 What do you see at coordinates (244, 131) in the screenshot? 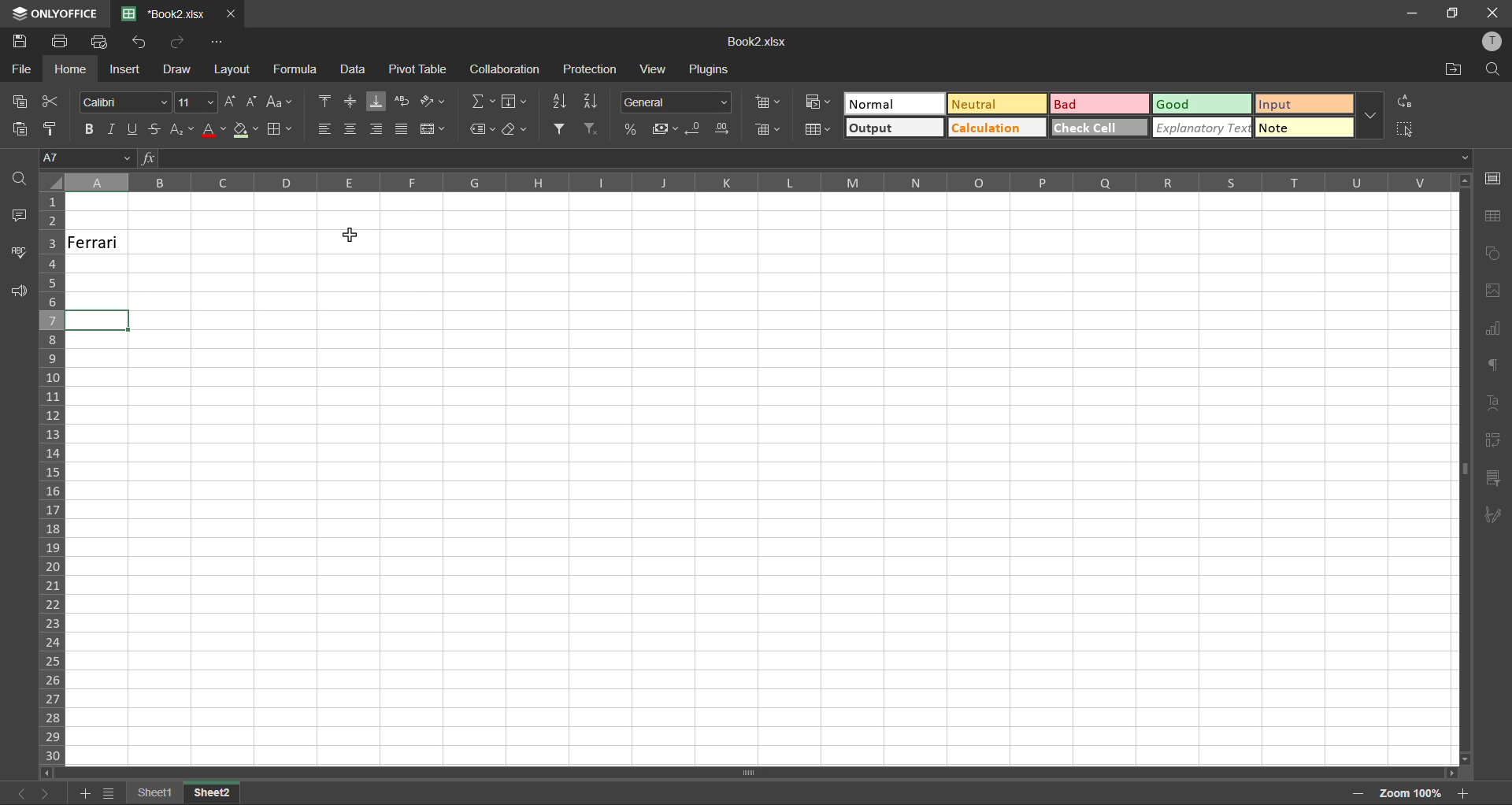
I see `fillcolor` at bounding box center [244, 131].